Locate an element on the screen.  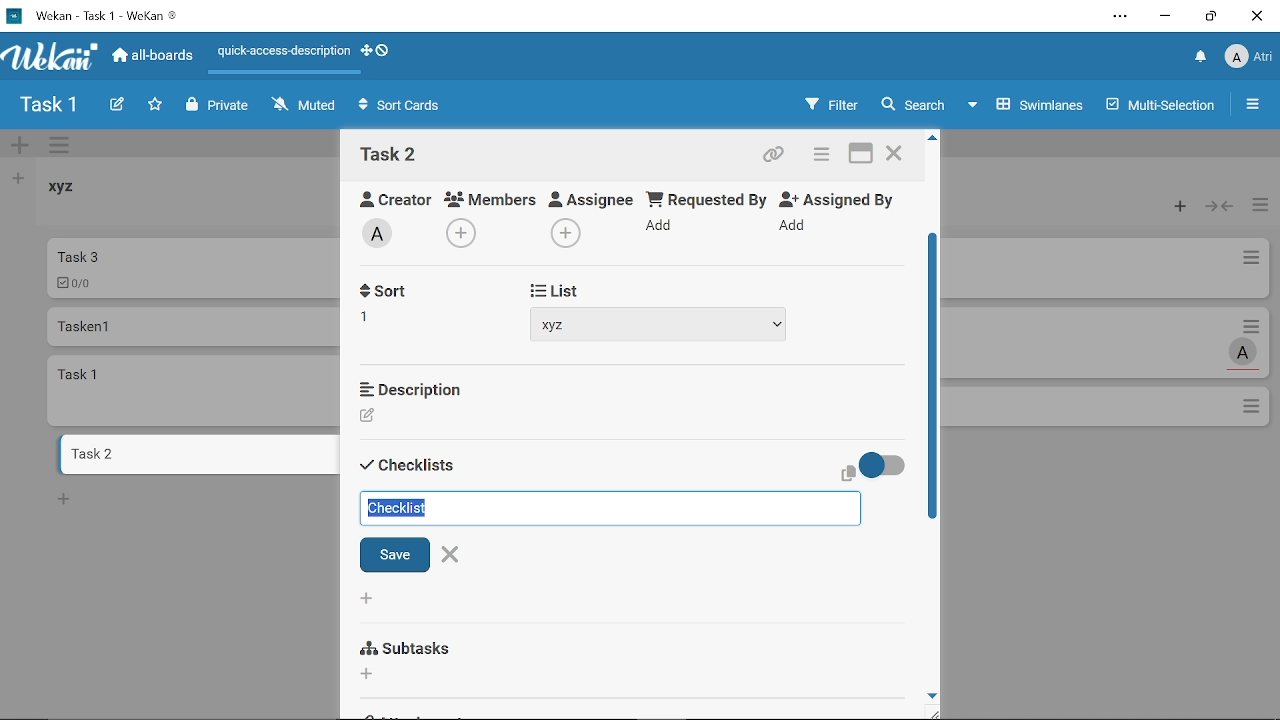
Board name is located at coordinates (48, 105).